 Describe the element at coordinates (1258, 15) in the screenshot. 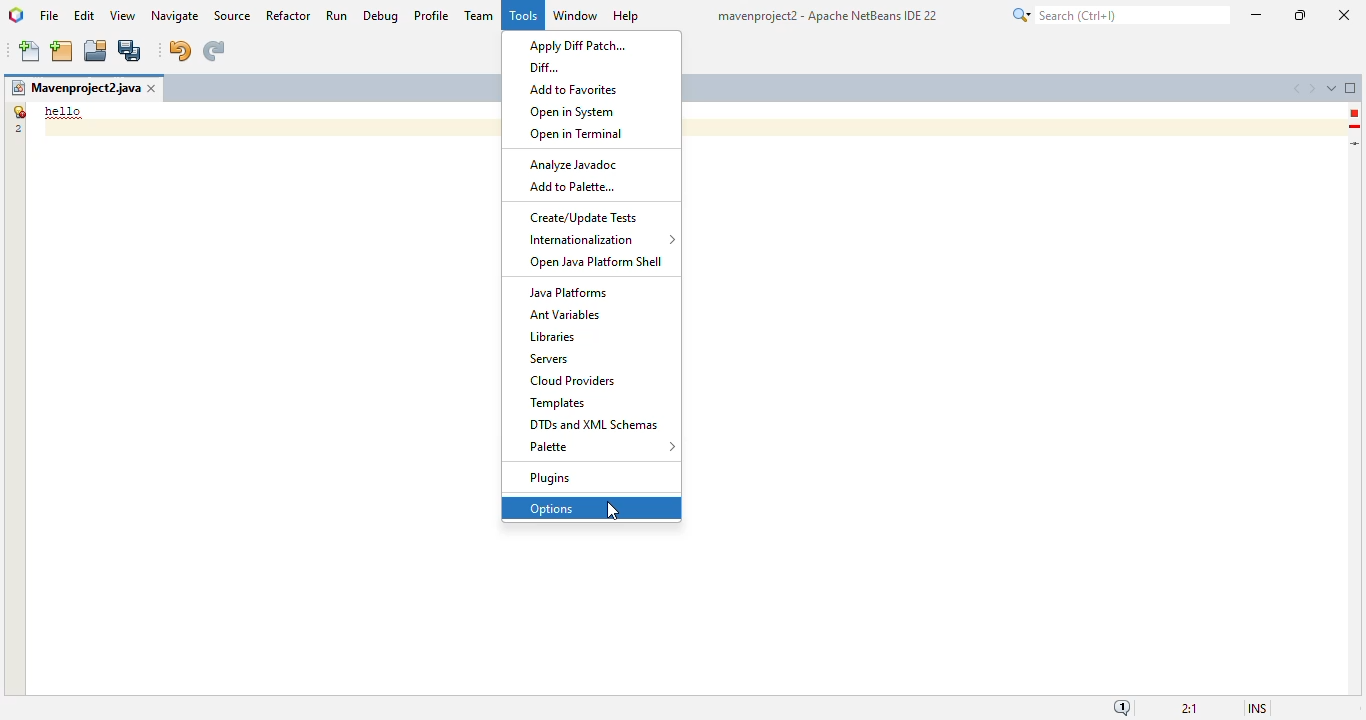

I see `minimize` at that location.